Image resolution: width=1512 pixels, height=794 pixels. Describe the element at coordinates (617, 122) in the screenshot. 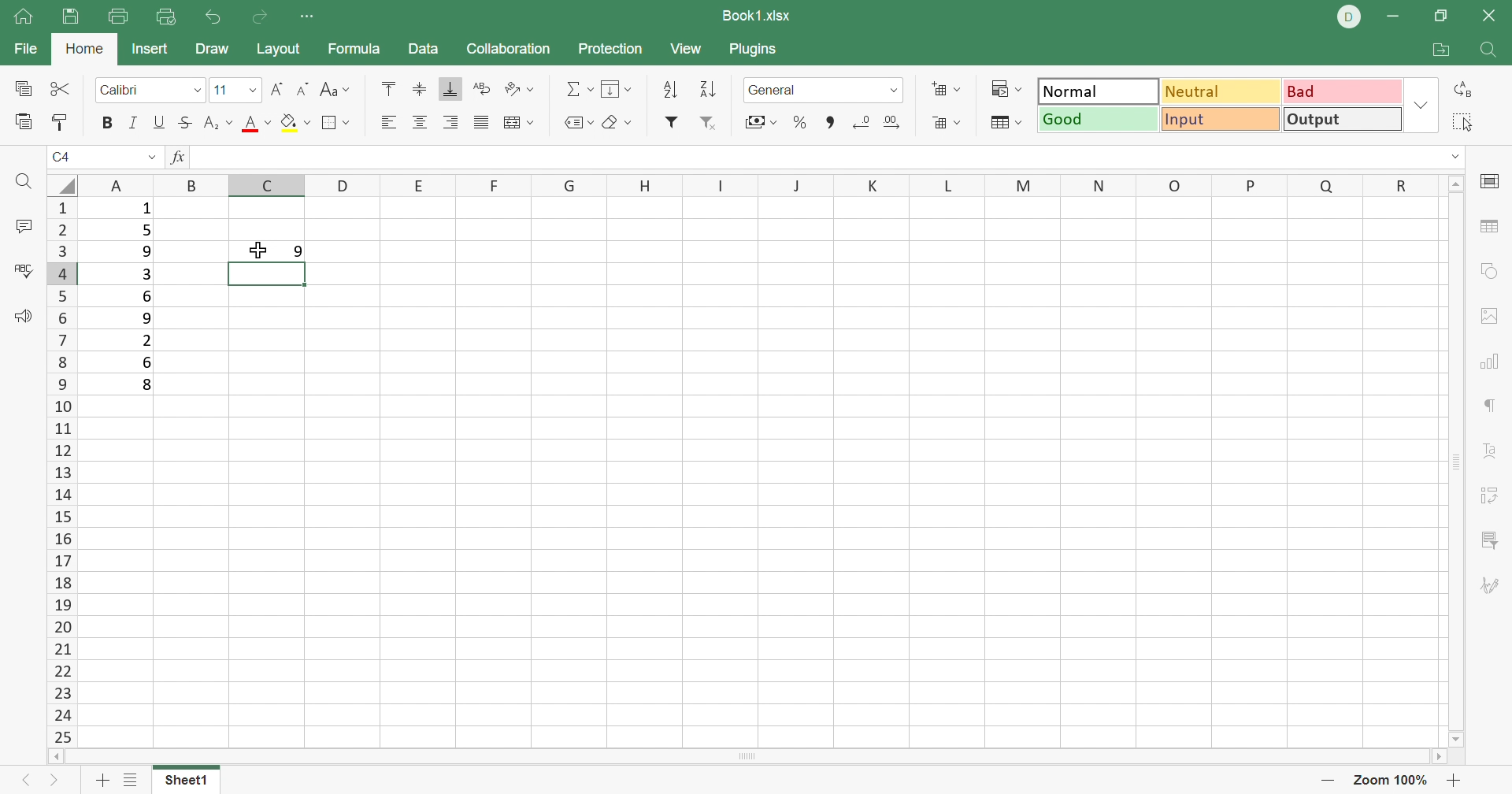

I see `Clear` at that location.